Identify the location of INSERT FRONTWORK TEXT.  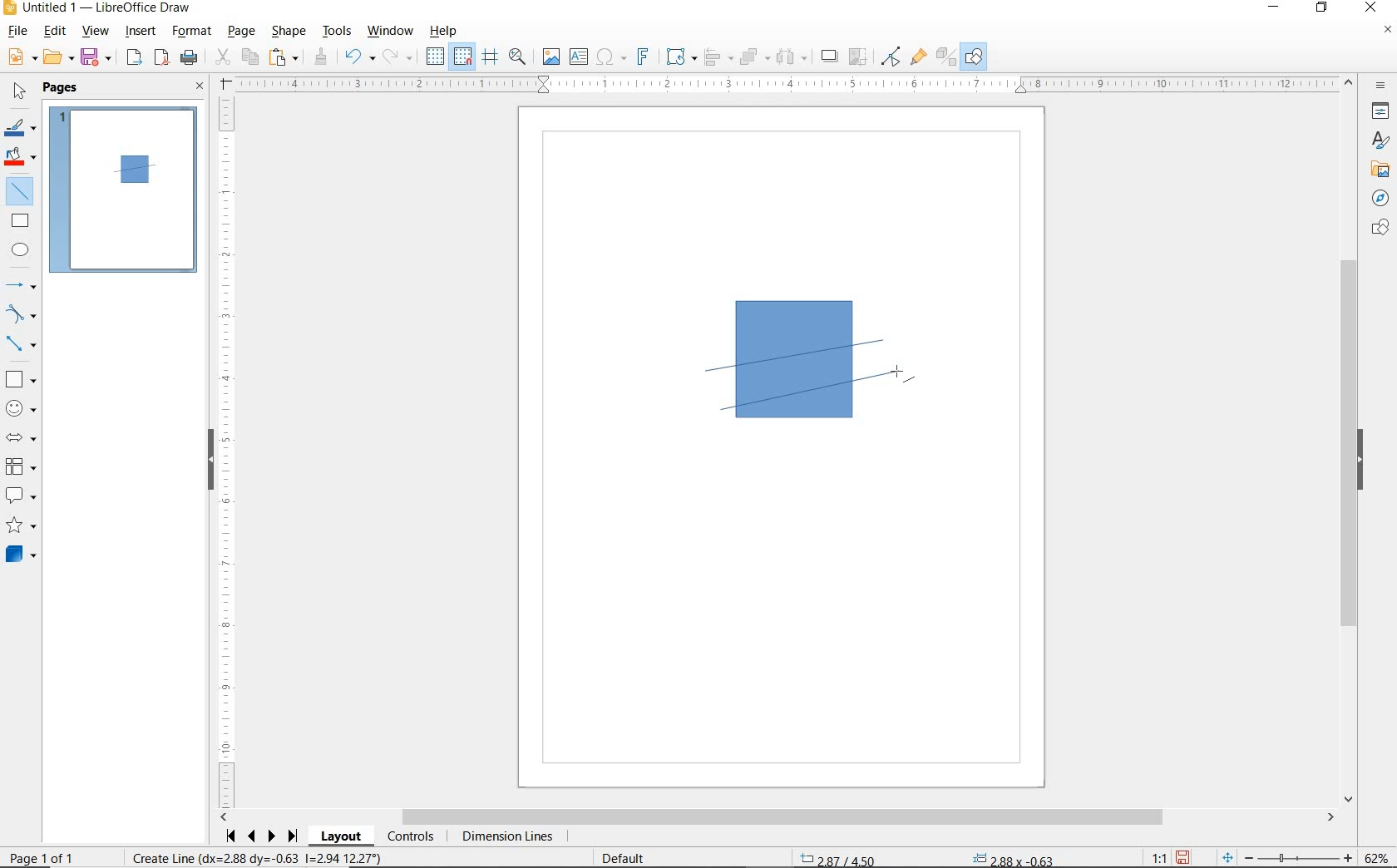
(642, 57).